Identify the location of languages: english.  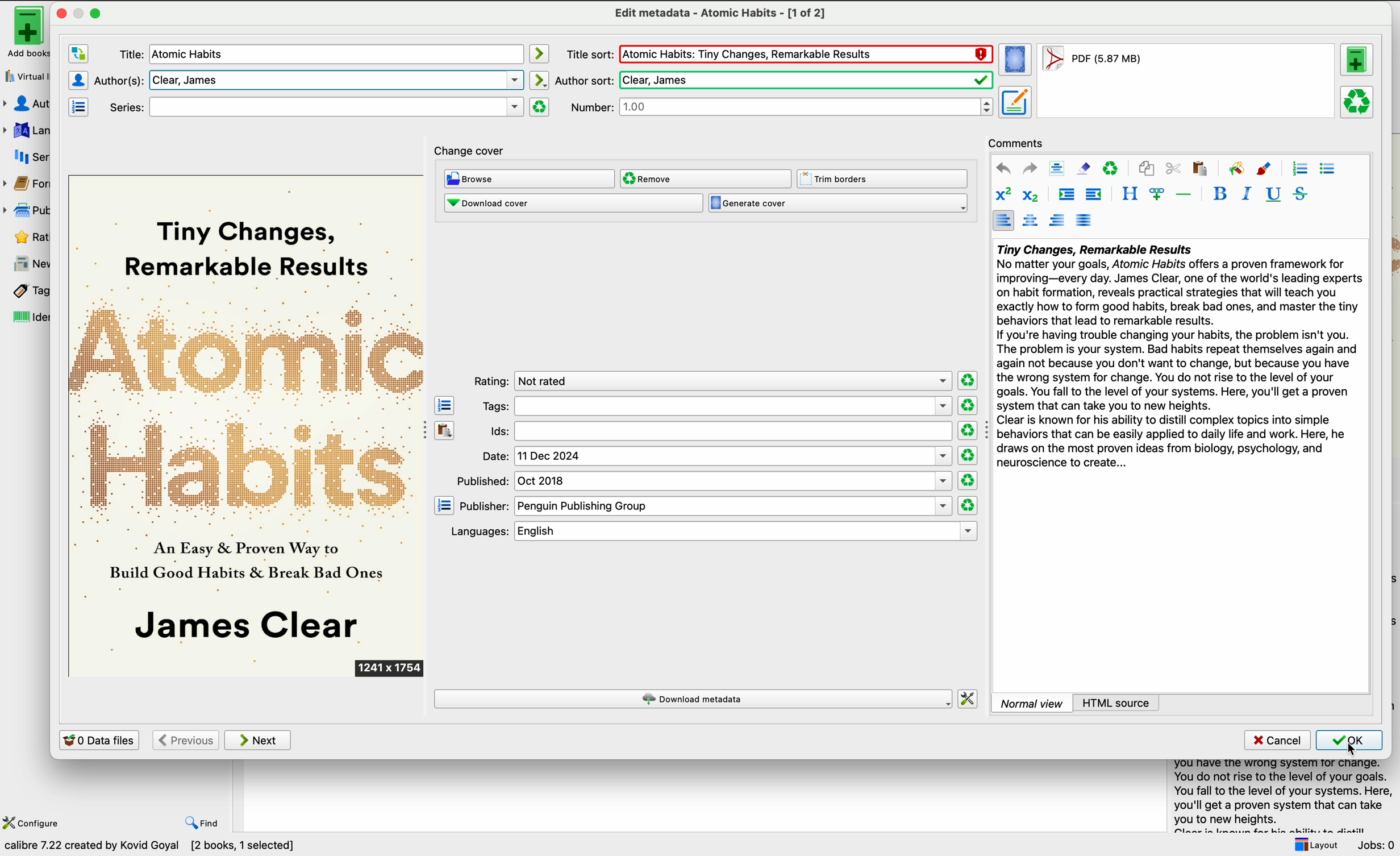
(709, 531).